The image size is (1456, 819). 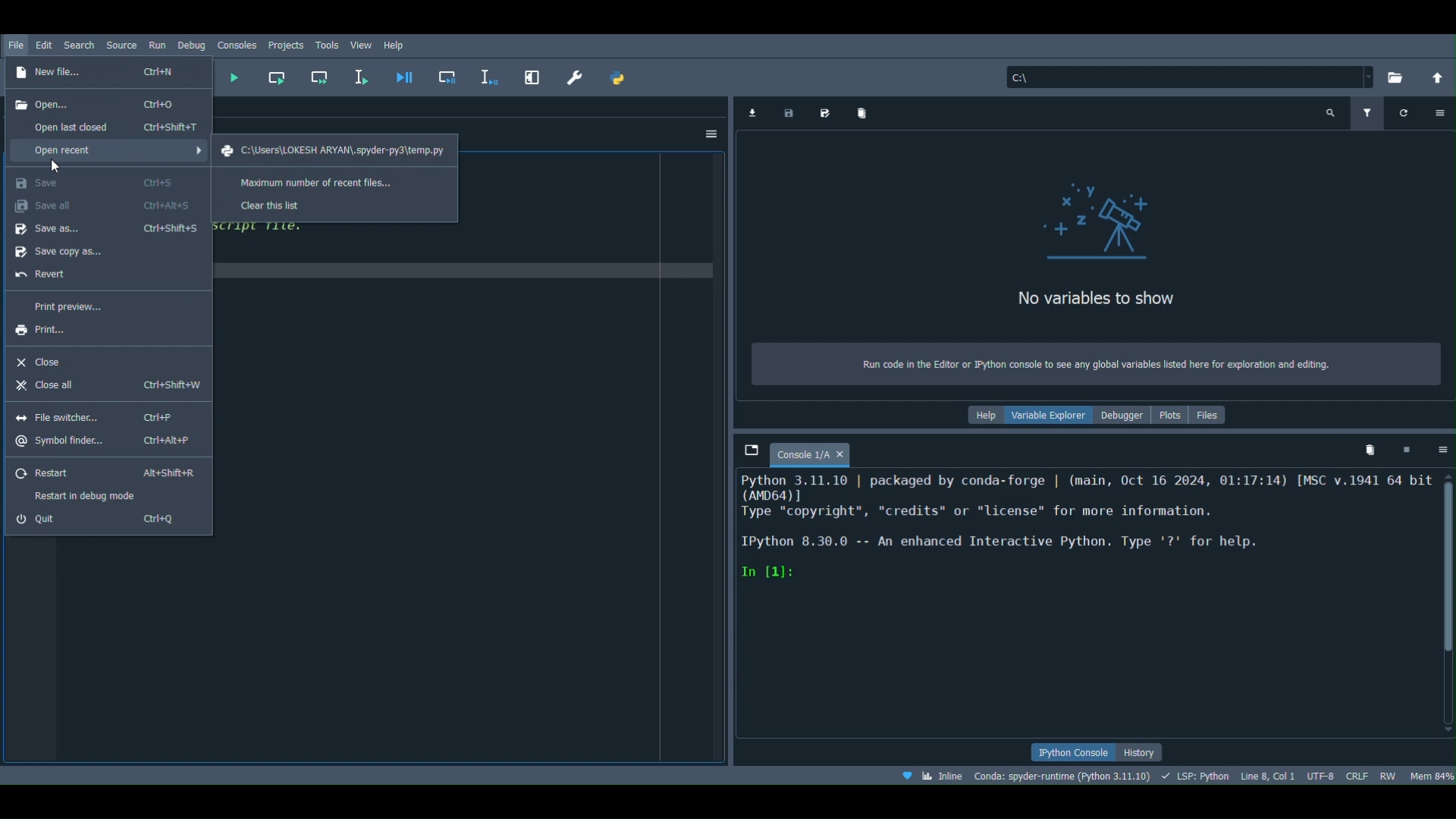 I want to click on File permissions, so click(x=1389, y=772).